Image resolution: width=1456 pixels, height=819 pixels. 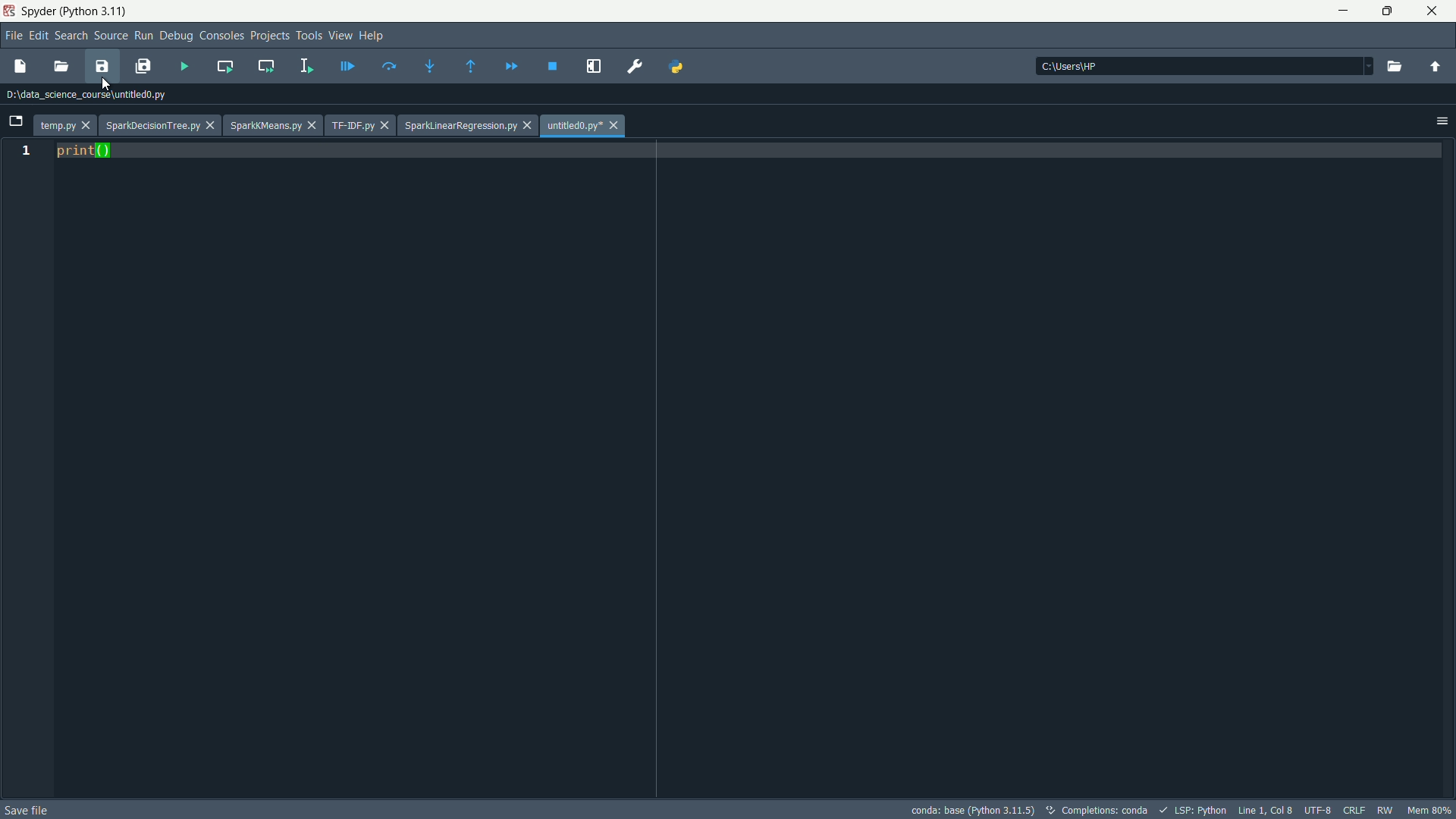 What do you see at coordinates (224, 67) in the screenshot?
I see `run current cell` at bounding box center [224, 67].